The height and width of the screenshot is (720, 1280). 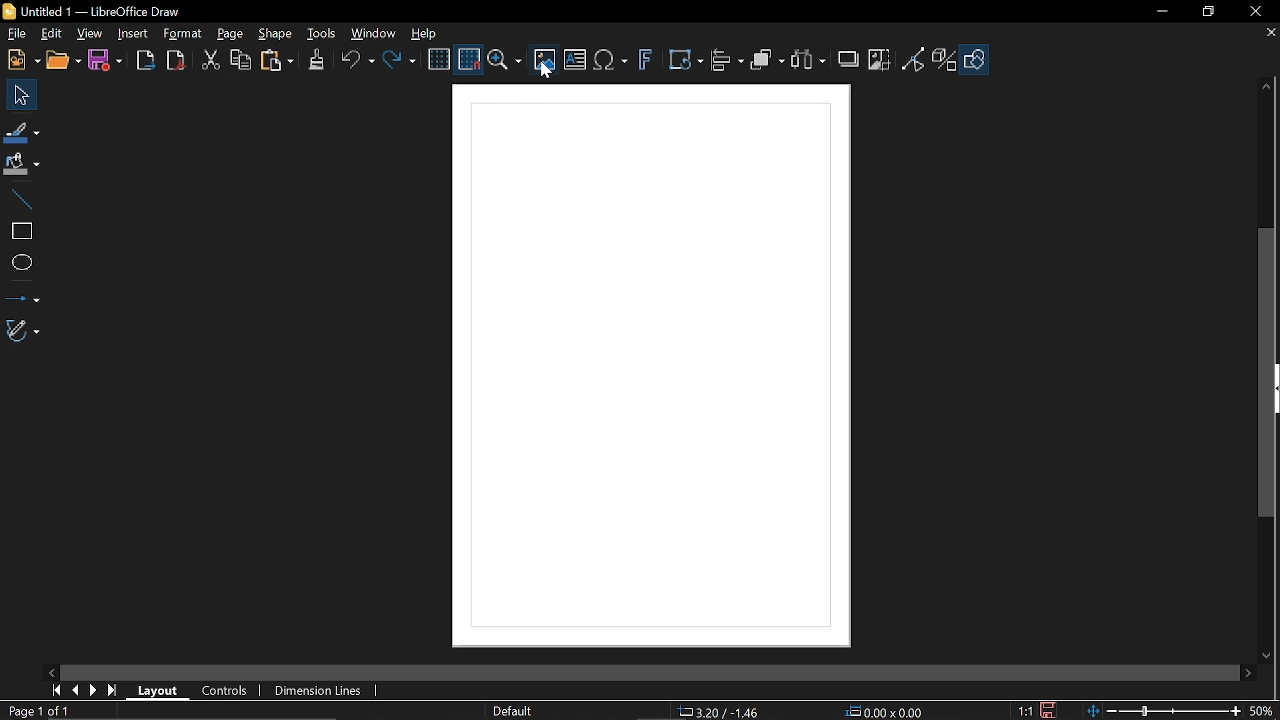 I want to click on Minimize, so click(x=1161, y=15).